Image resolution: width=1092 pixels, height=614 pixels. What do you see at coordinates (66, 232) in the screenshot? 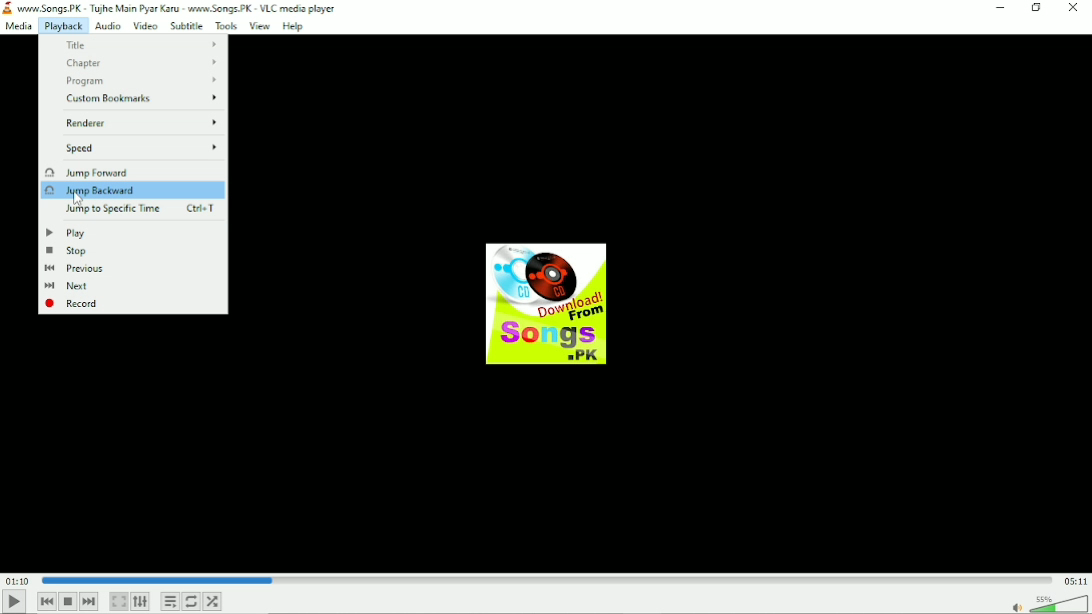
I see `Play` at bounding box center [66, 232].